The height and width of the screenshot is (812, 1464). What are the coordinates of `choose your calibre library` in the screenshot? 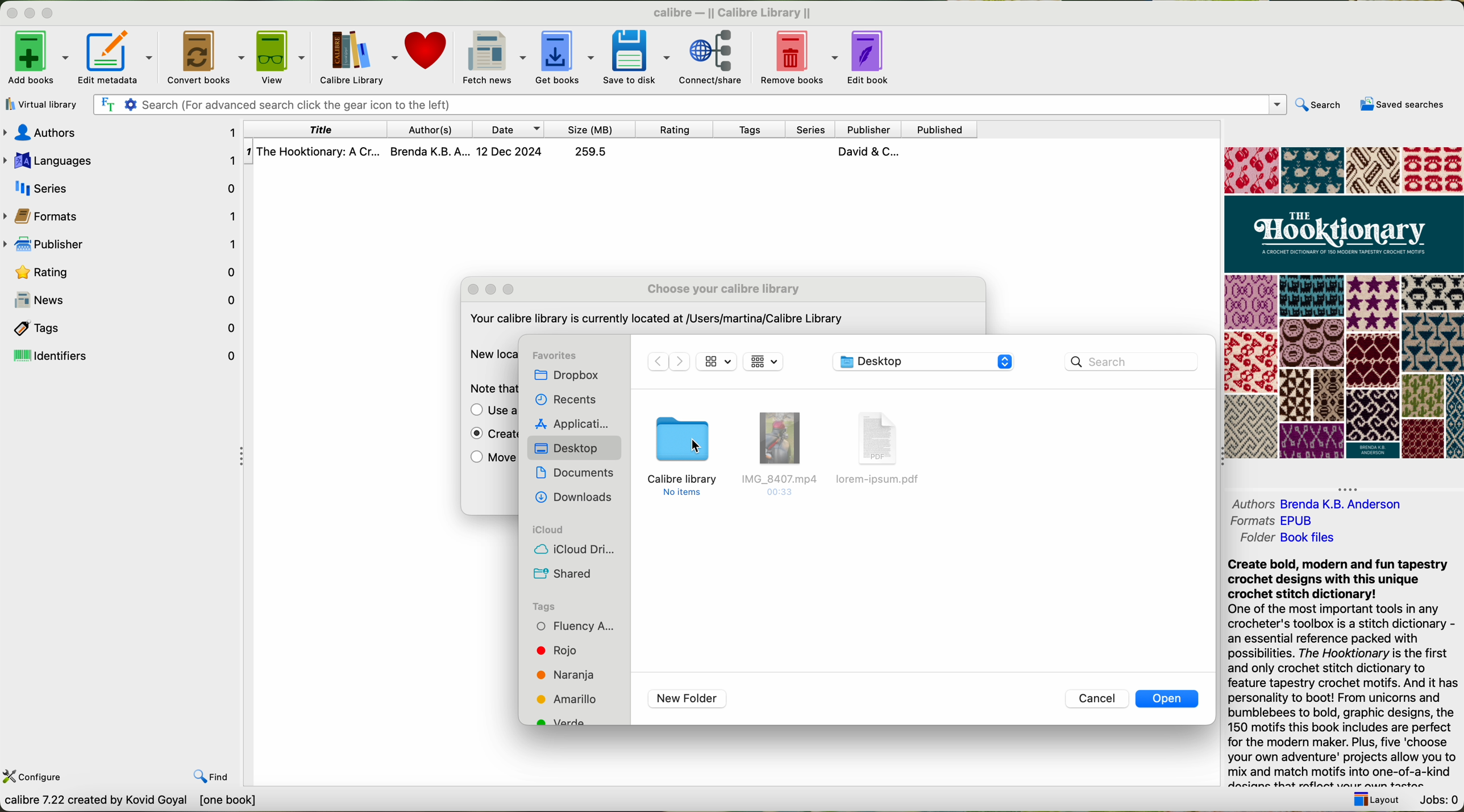 It's located at (722, 290).